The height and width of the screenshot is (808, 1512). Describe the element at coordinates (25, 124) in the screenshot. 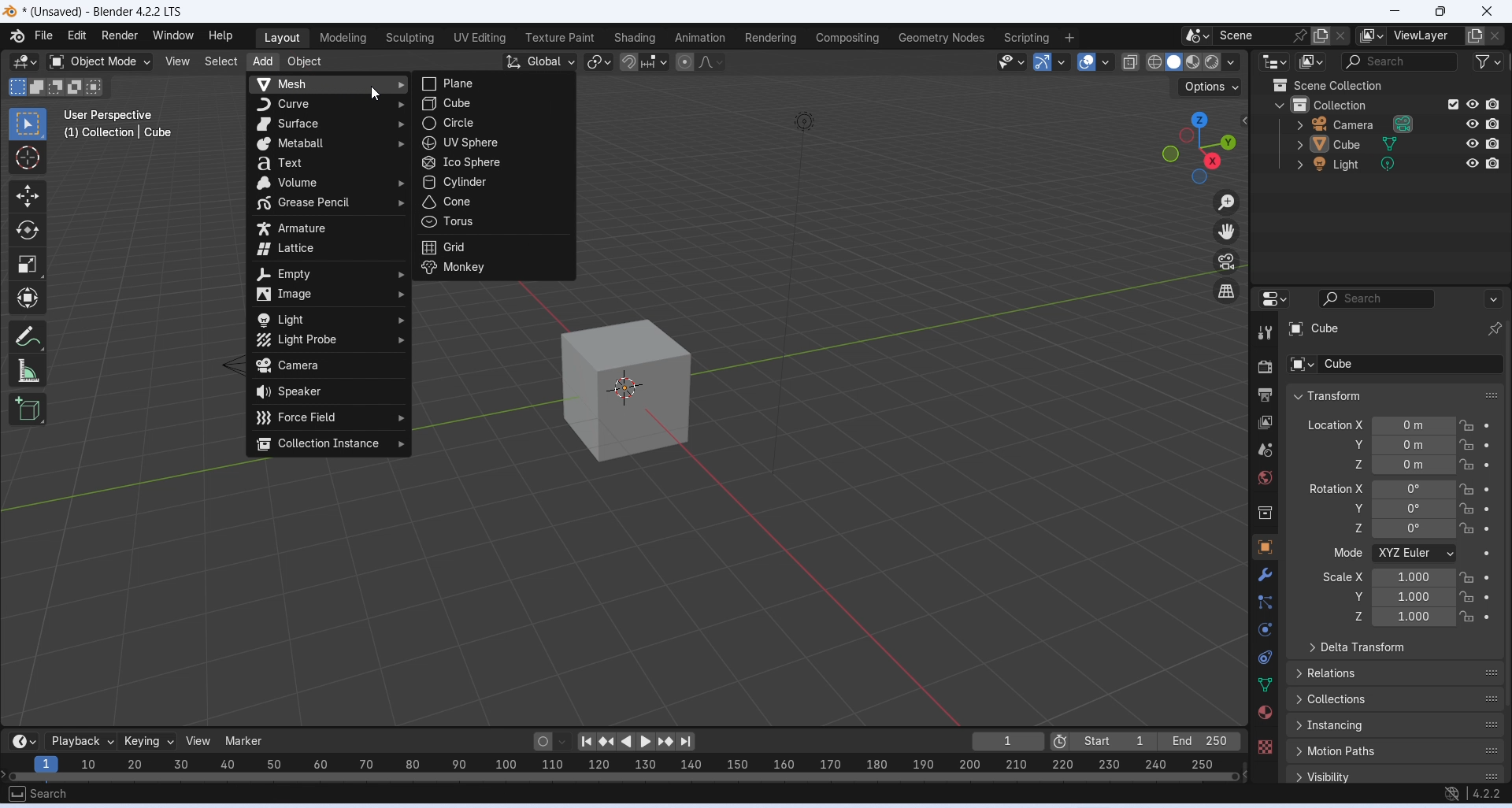

I see `Select box` at that location.